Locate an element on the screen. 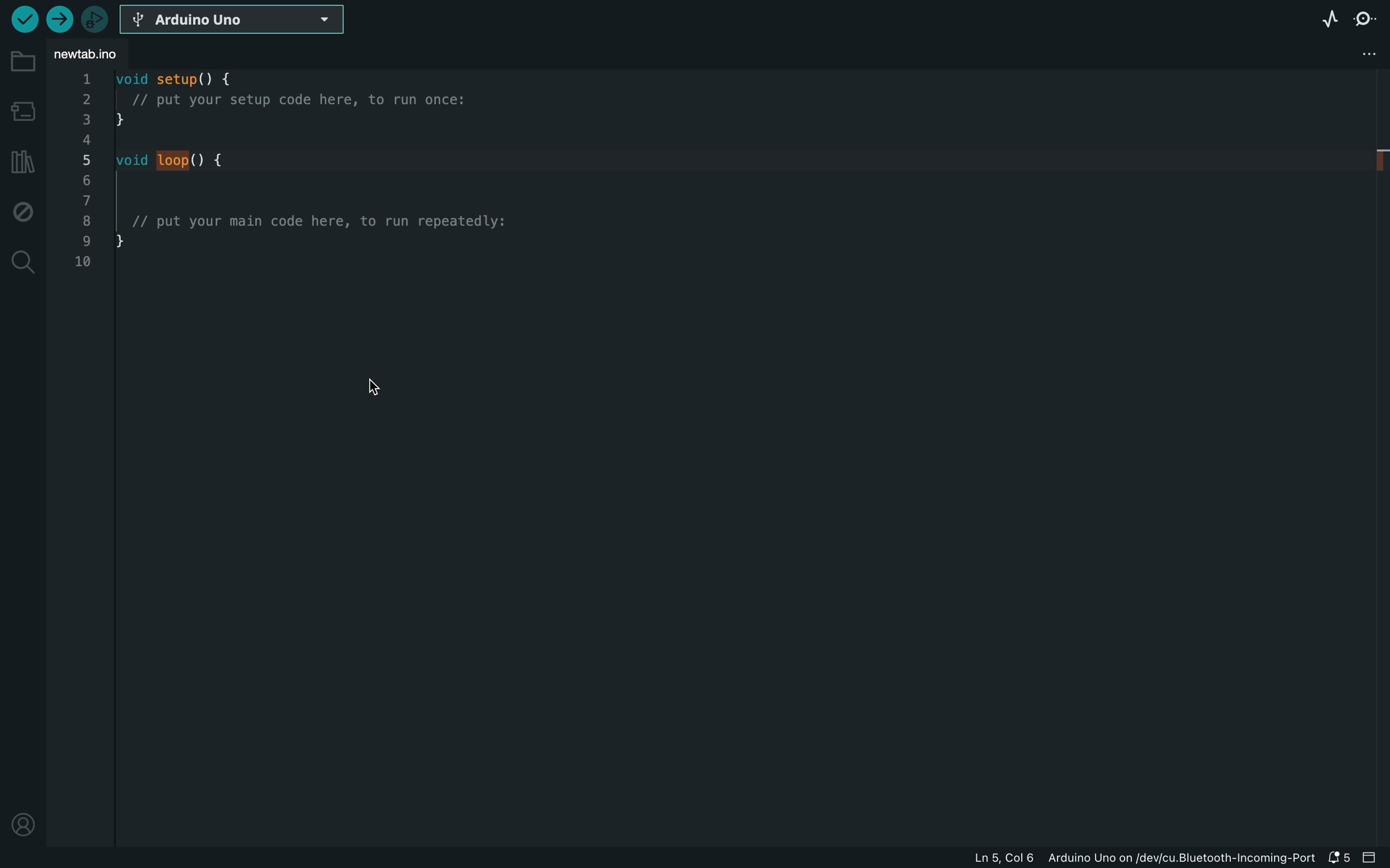  search is located at coordinates (21, 261).